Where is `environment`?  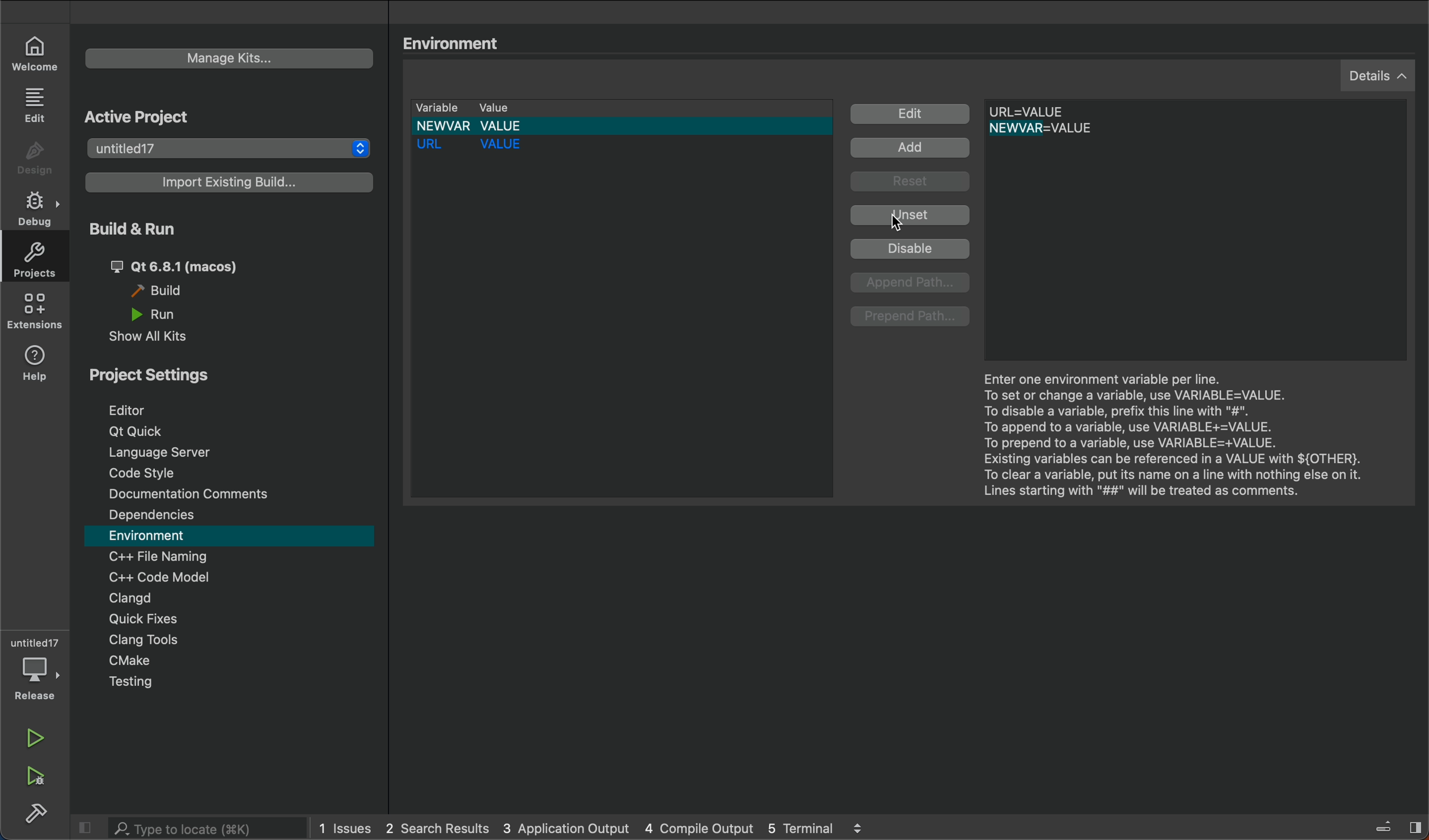
environment is located at coordinates (459, 44).